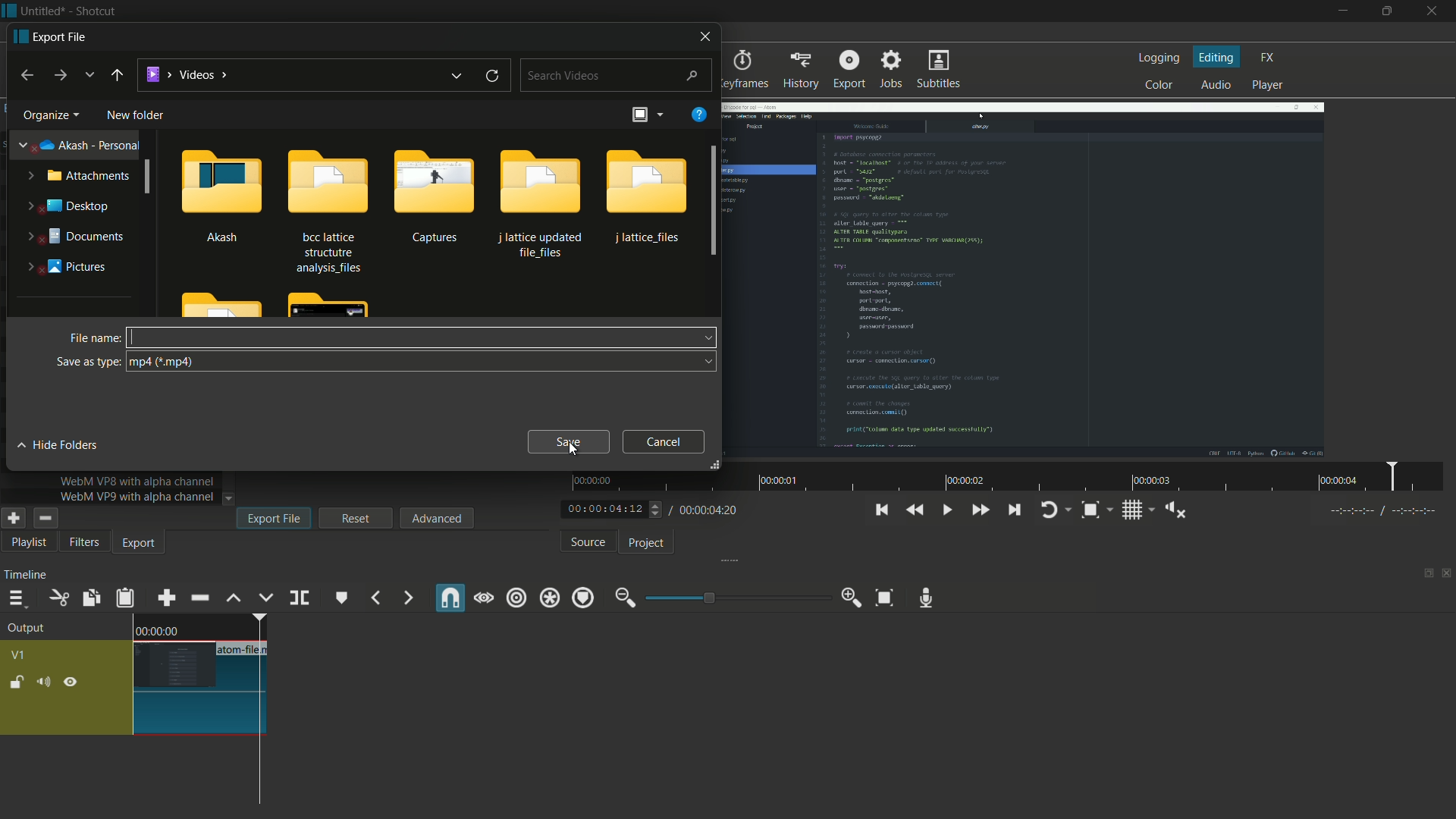 The image size is (1456, 819). I want to click on reset, so click(356, 517).